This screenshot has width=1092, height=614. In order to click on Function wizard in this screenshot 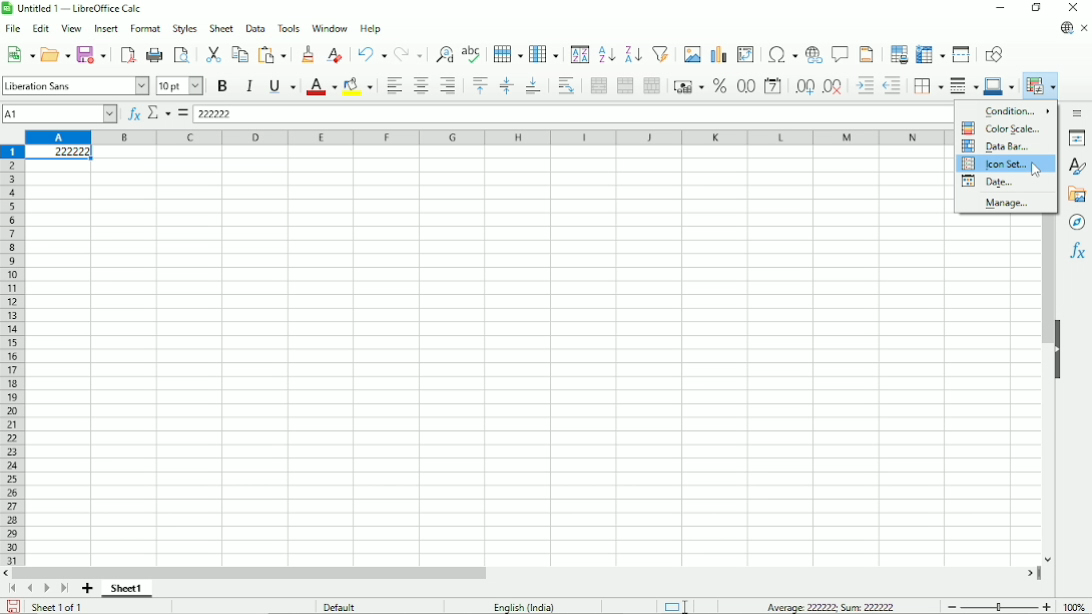, I will do `click(132, 114)`.